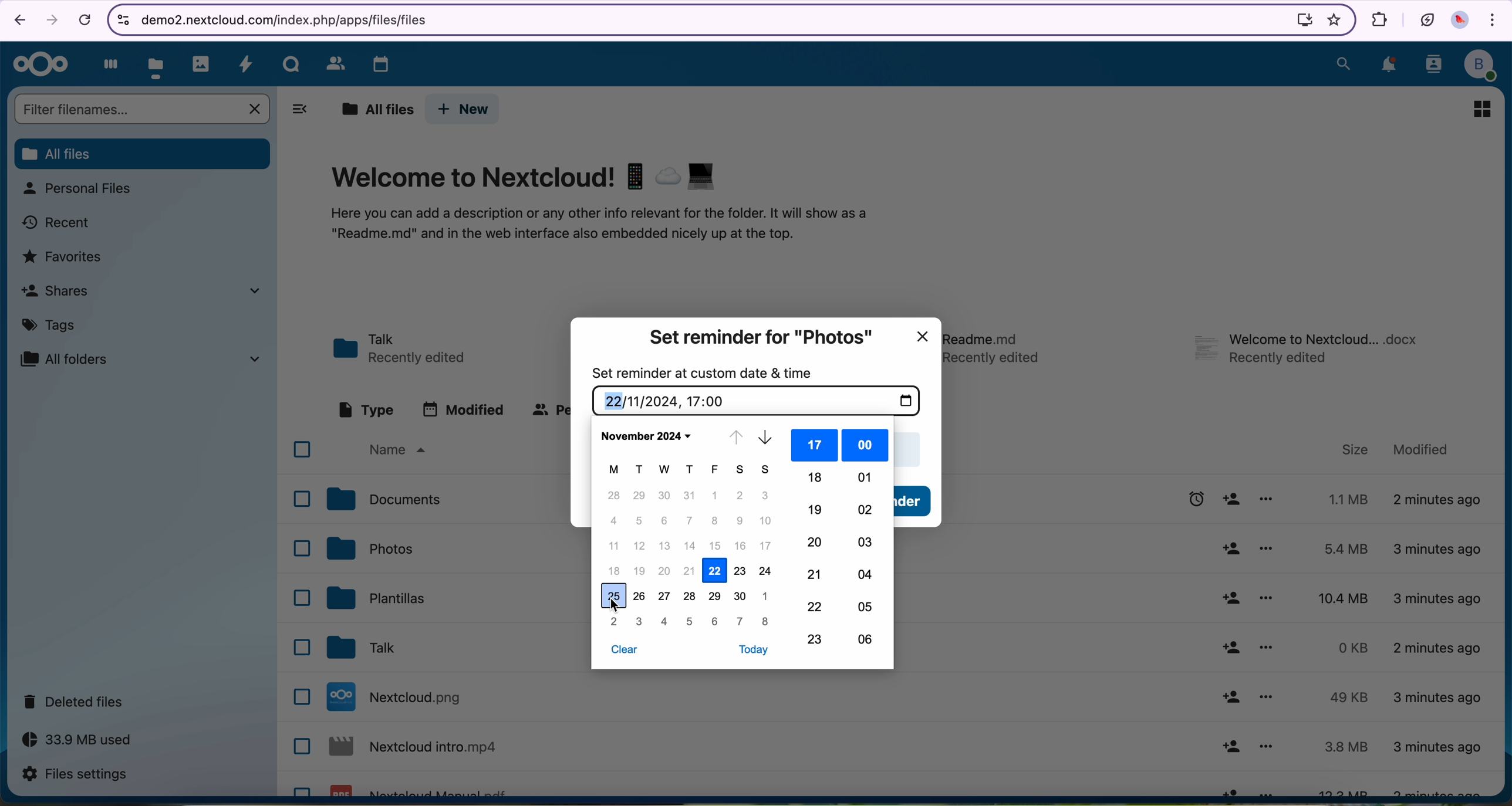  I want to click on 7, so click(688, 520).